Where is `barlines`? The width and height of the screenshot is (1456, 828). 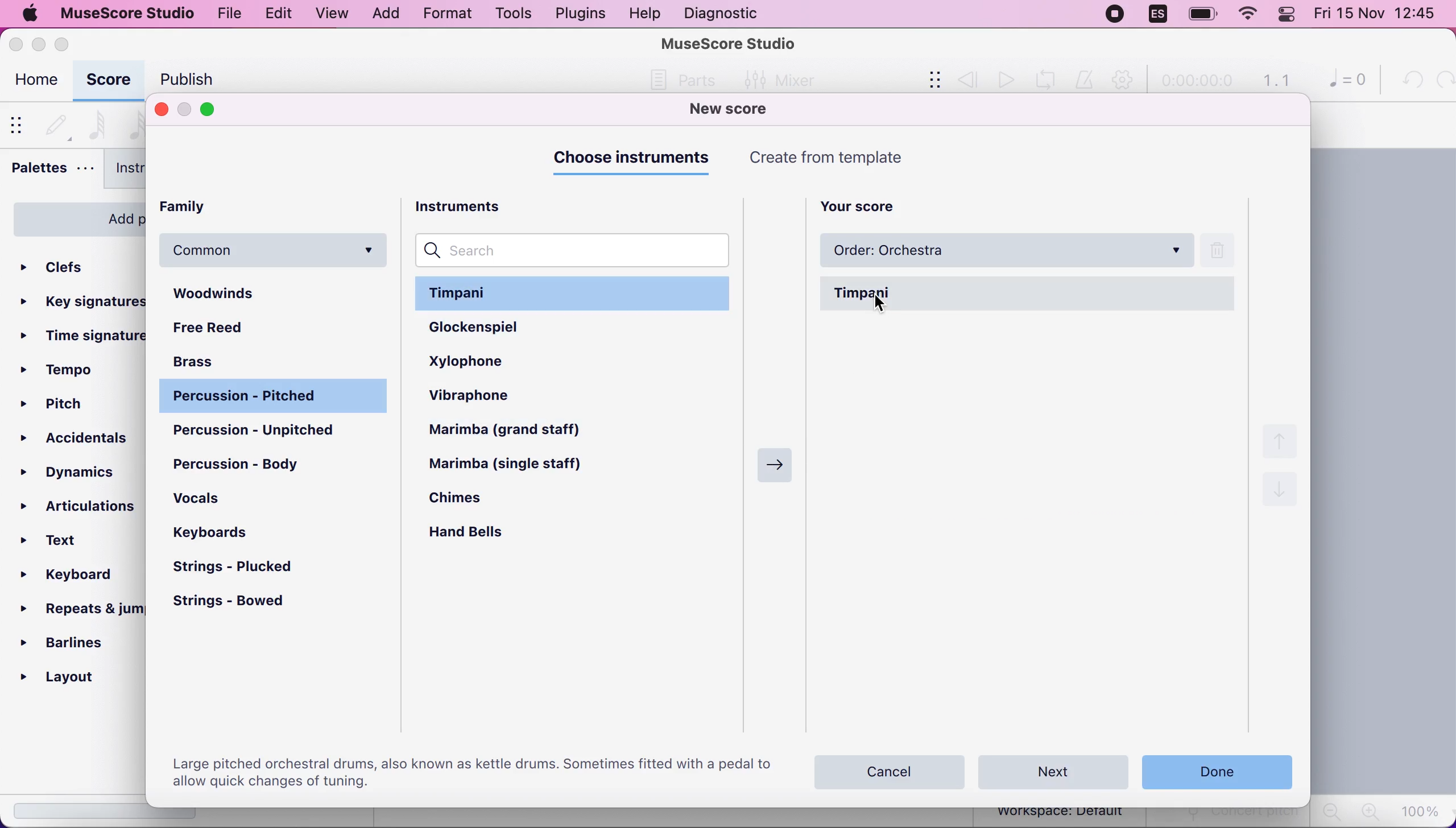 barlines is located at coordinates (75, 642).